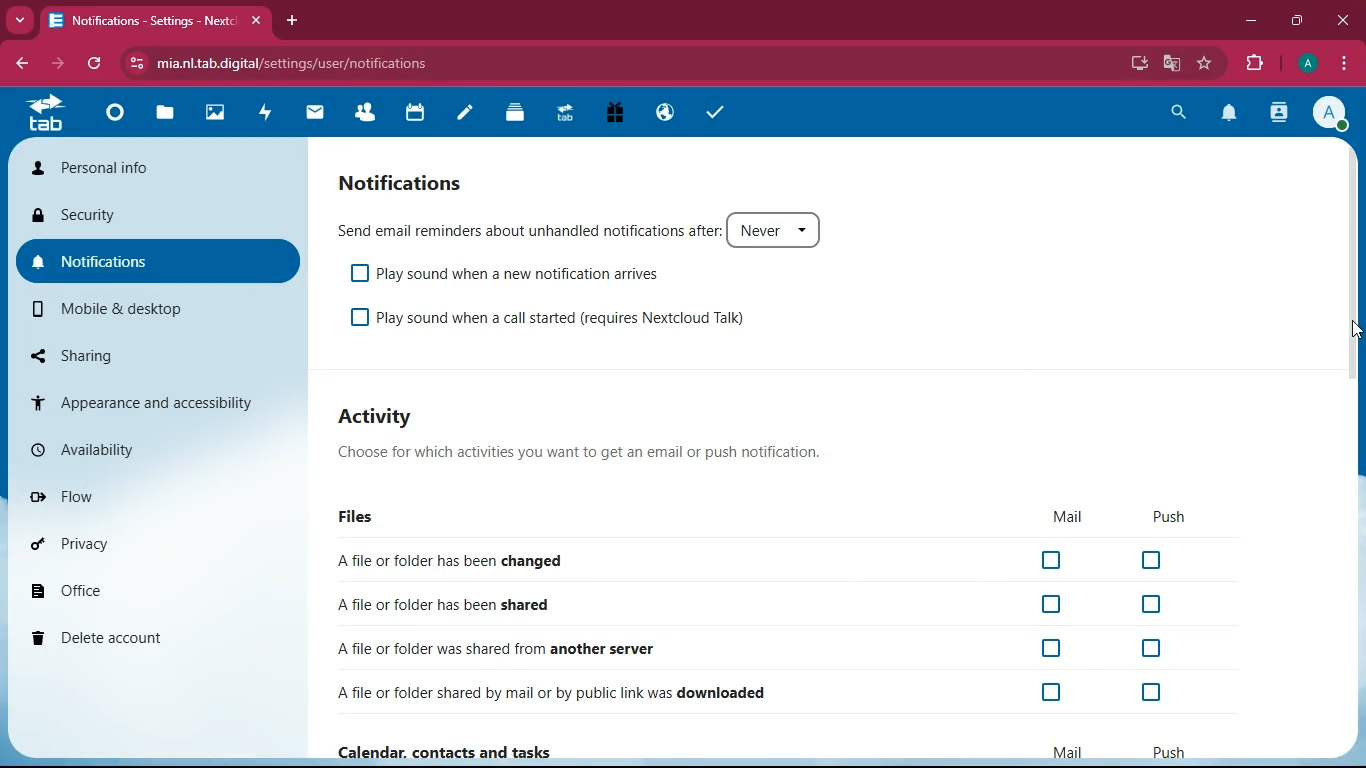 The width and height of the screenshot is (1366, 768). Describe the element at coordinates (151, 588) in the screenshot. I see `office` at that location.